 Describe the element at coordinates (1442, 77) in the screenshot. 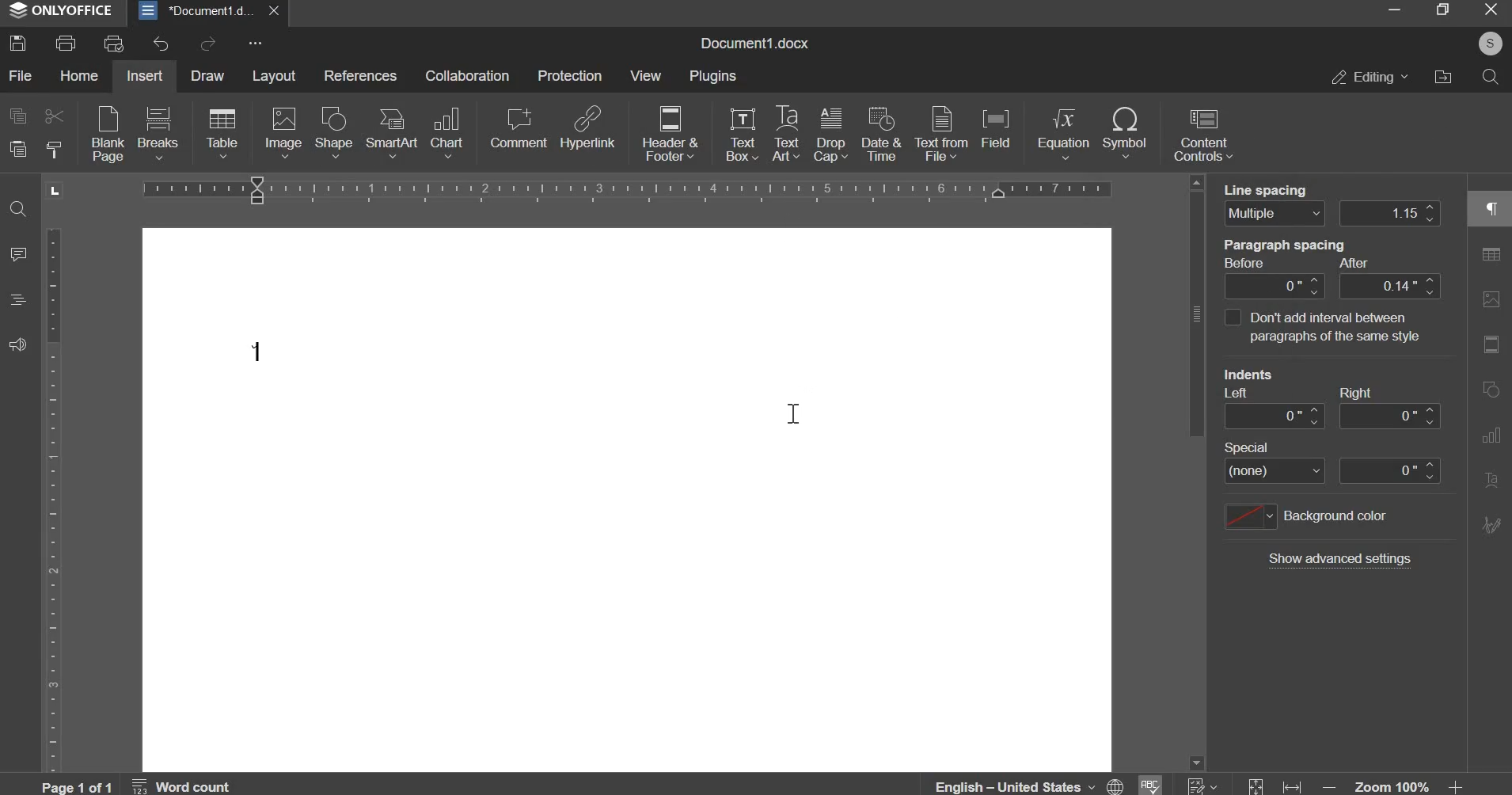

I see `file location` at that location.